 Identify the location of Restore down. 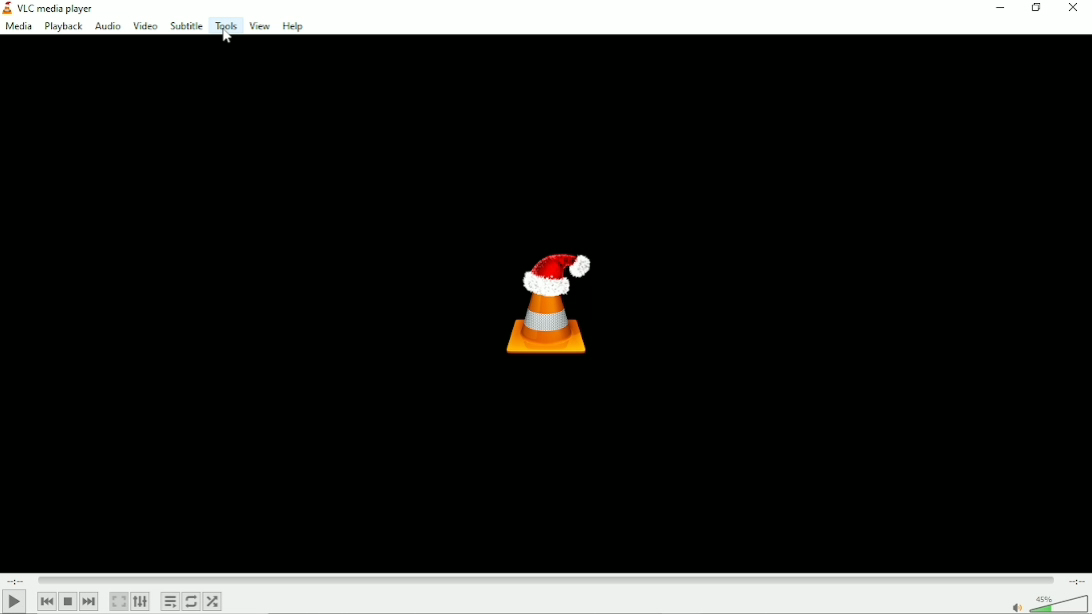
(1036, 10).